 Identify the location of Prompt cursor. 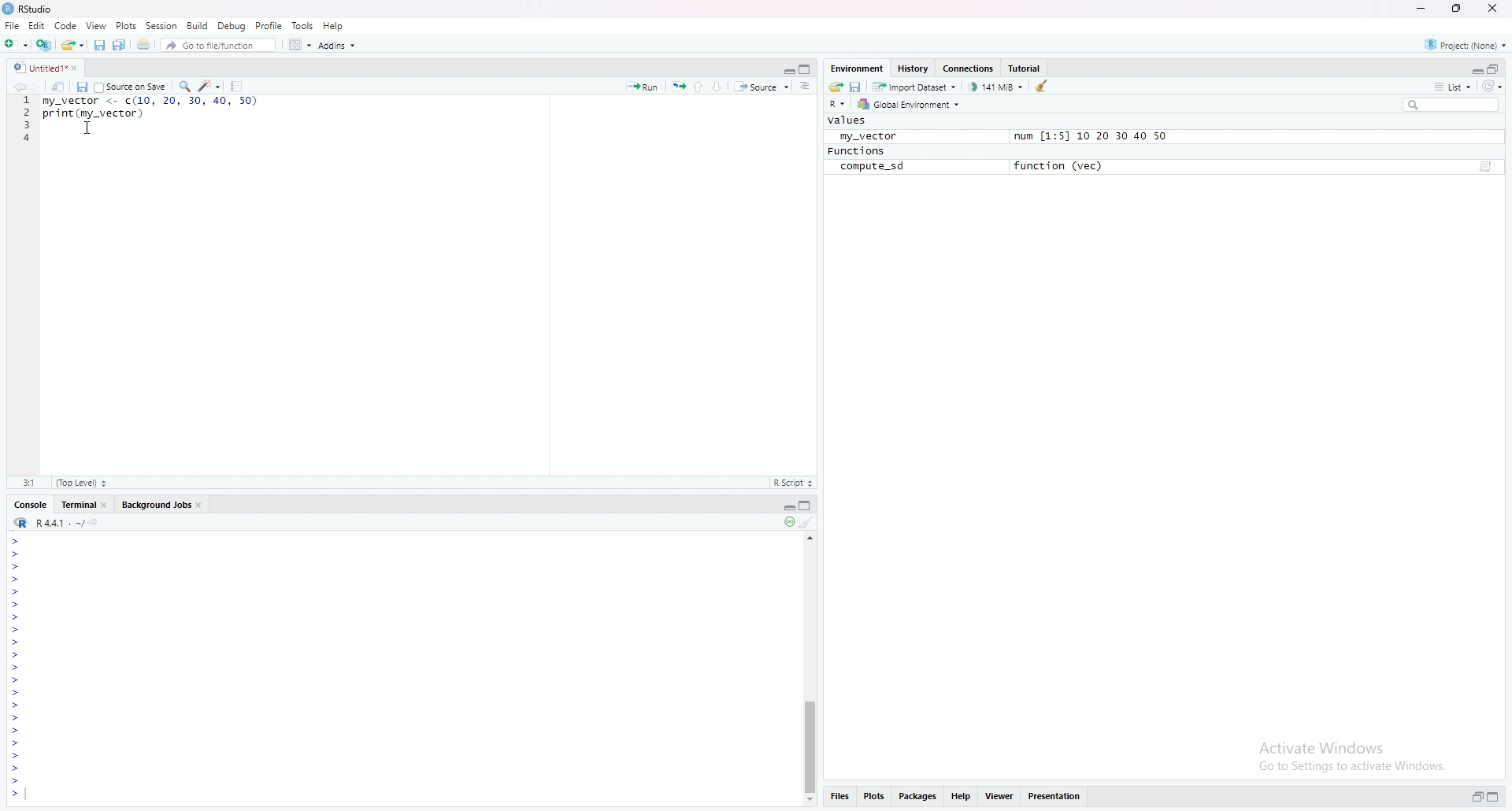
(16, 605).